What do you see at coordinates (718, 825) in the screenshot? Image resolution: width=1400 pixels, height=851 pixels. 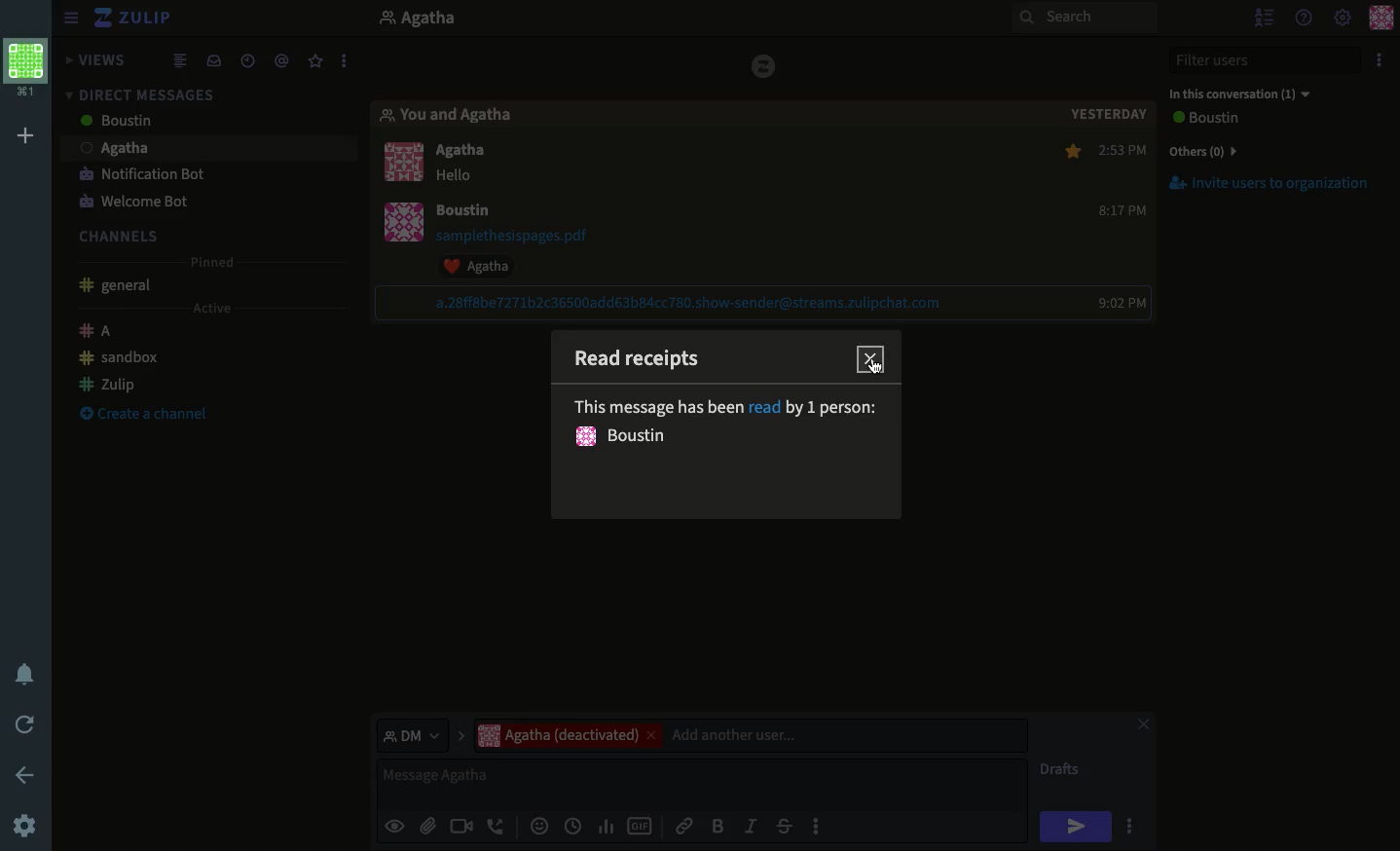 I see `Bold` at bounding box center [718, 825].